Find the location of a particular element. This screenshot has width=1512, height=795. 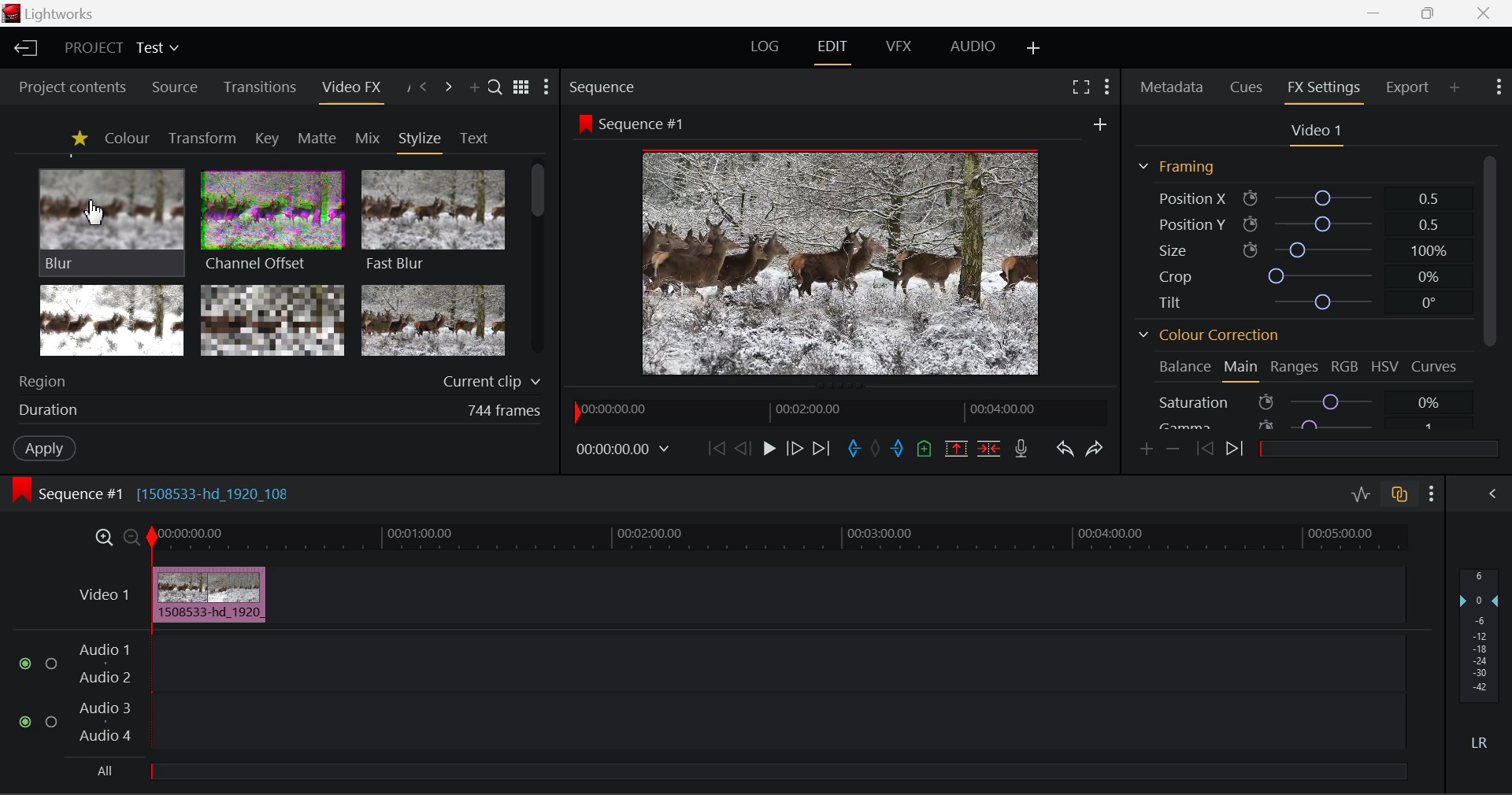

Toggle auto track sync is located at coordinates (1398, 492).